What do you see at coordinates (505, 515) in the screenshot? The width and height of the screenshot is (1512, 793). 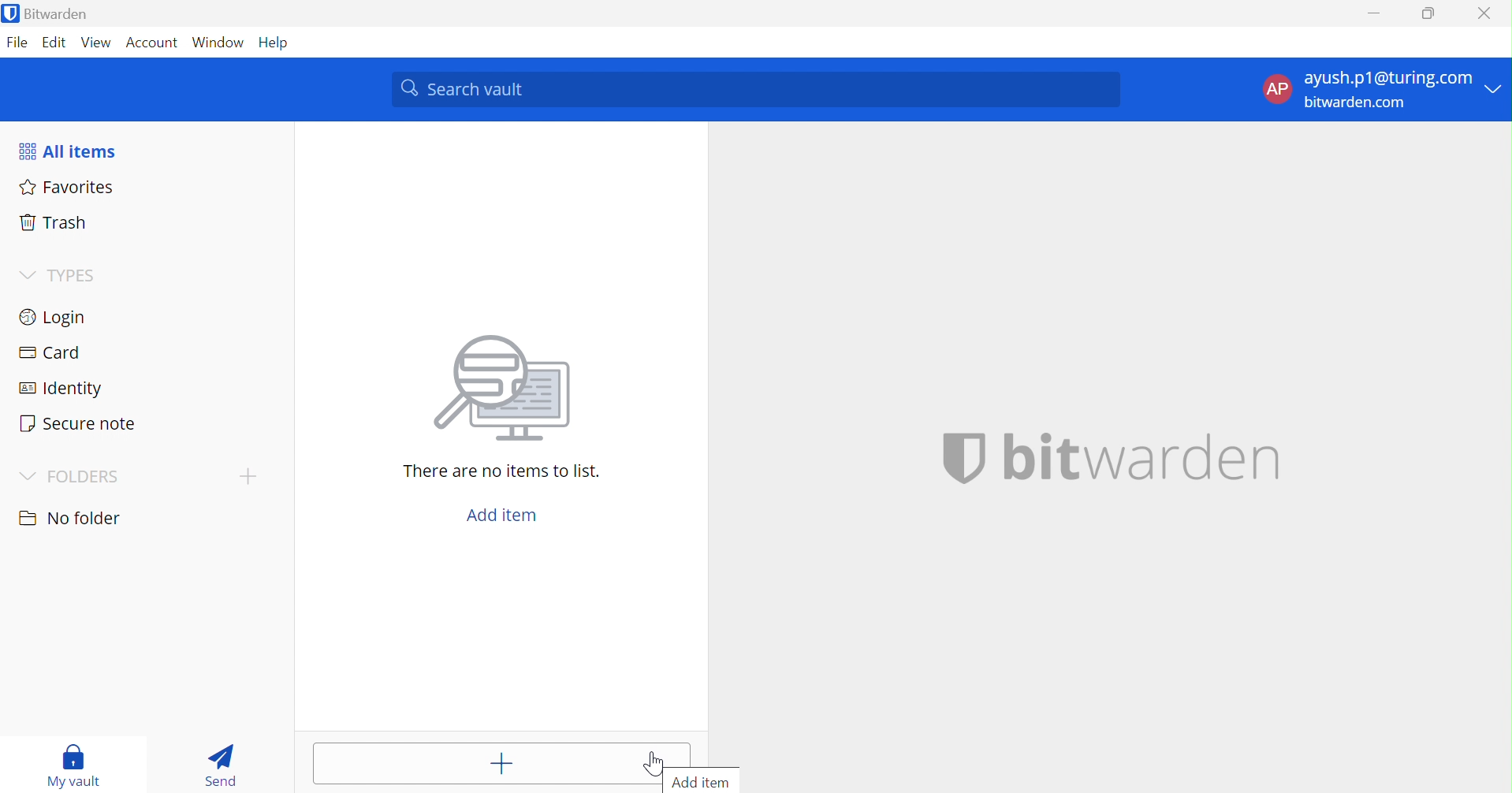 I see `Add item` at bounding box center [505, 515].